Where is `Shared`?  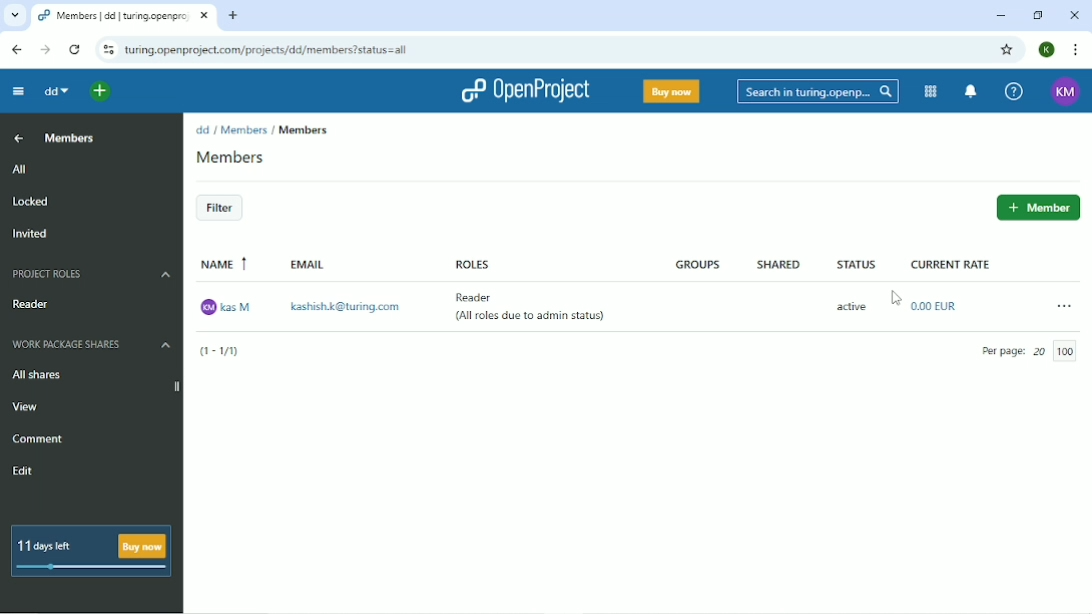 Shared is located at coordinates (773, 264).